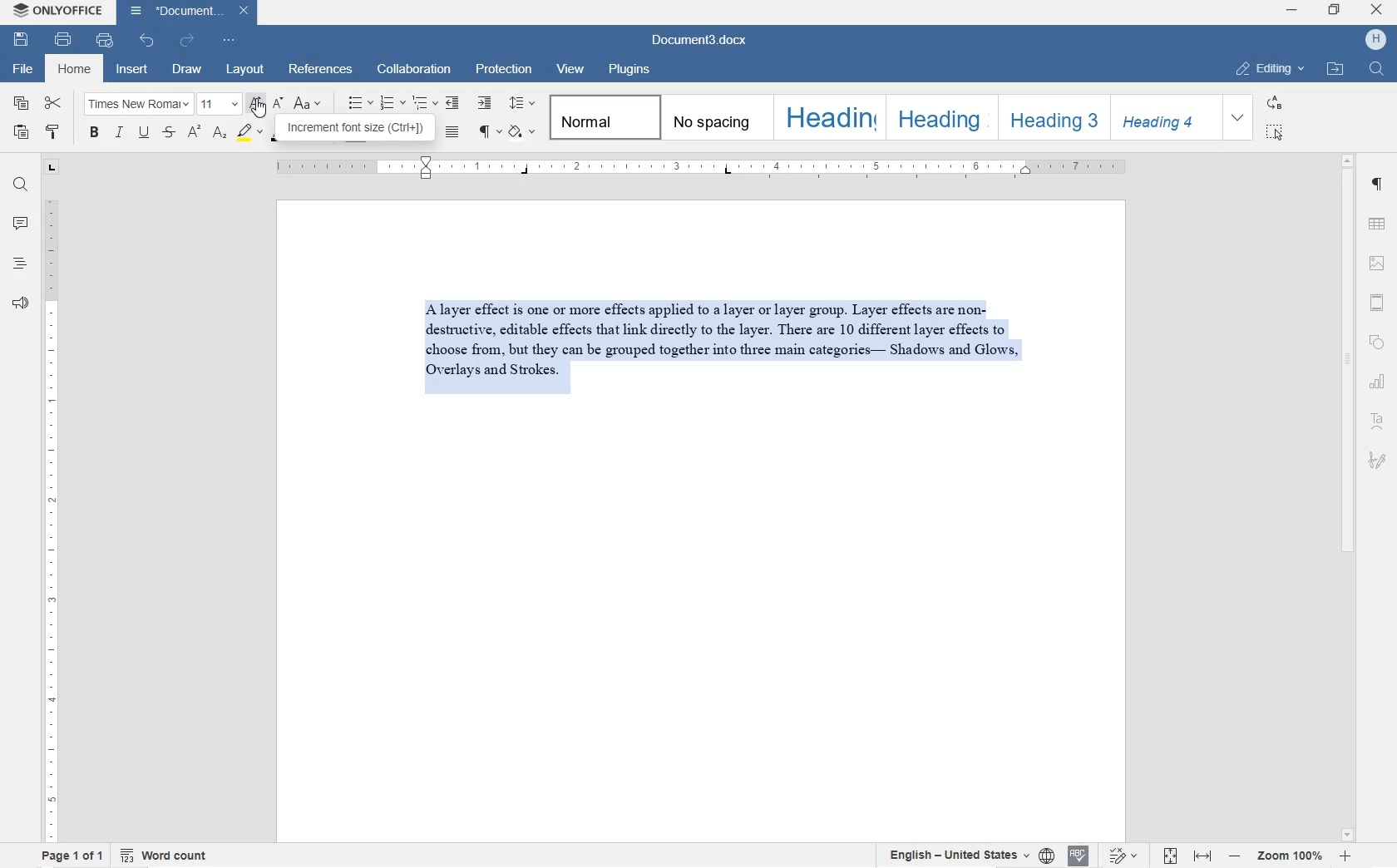  What do you see at coordinates (1275, 133) in the screenshot?
I see `SELECT ALL` at bounding box center [1275, 133].